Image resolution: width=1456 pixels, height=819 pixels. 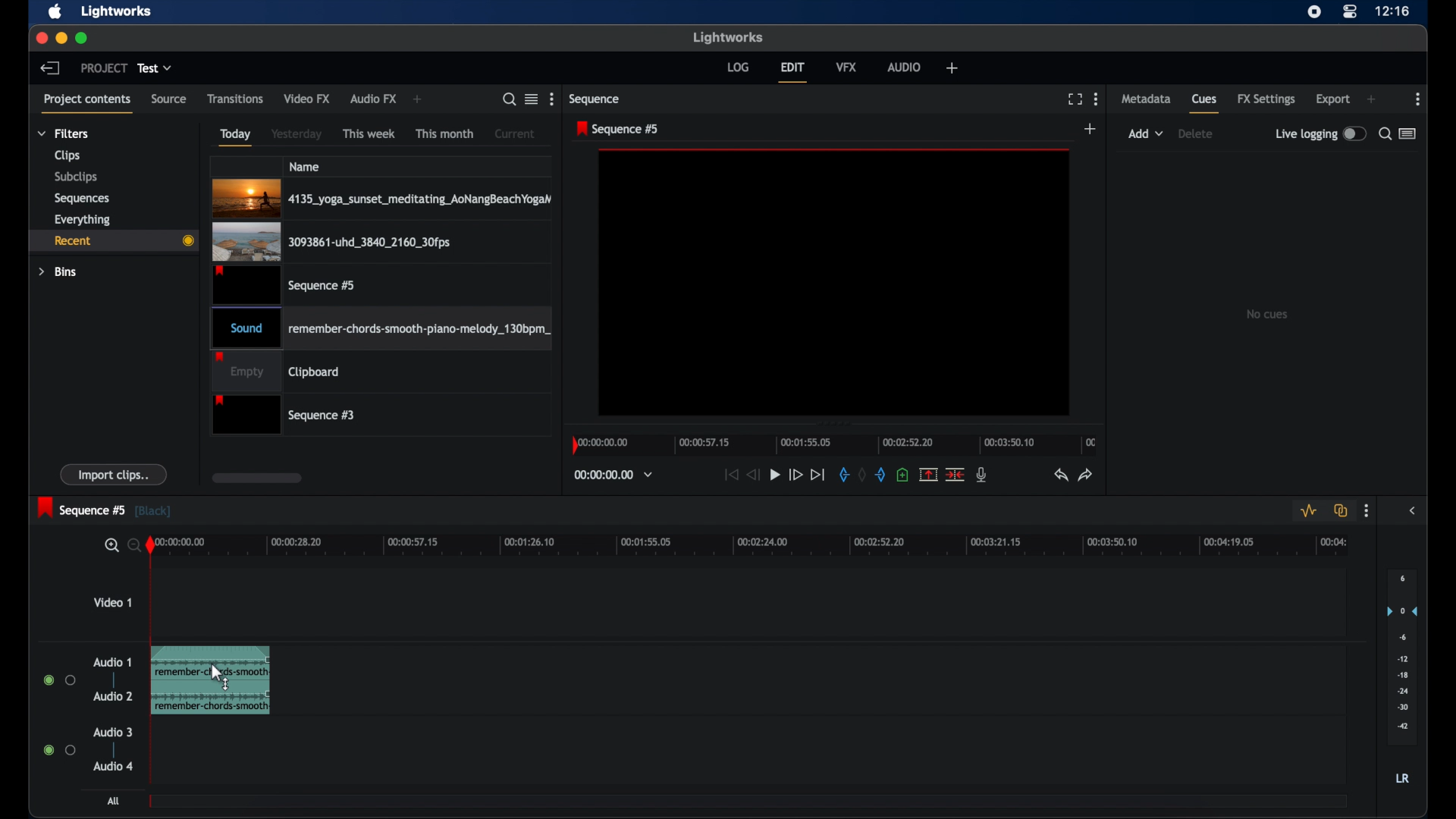 I want to click on  3093861-uhd_3840_2160_30fps, so click(x=331, y=241).